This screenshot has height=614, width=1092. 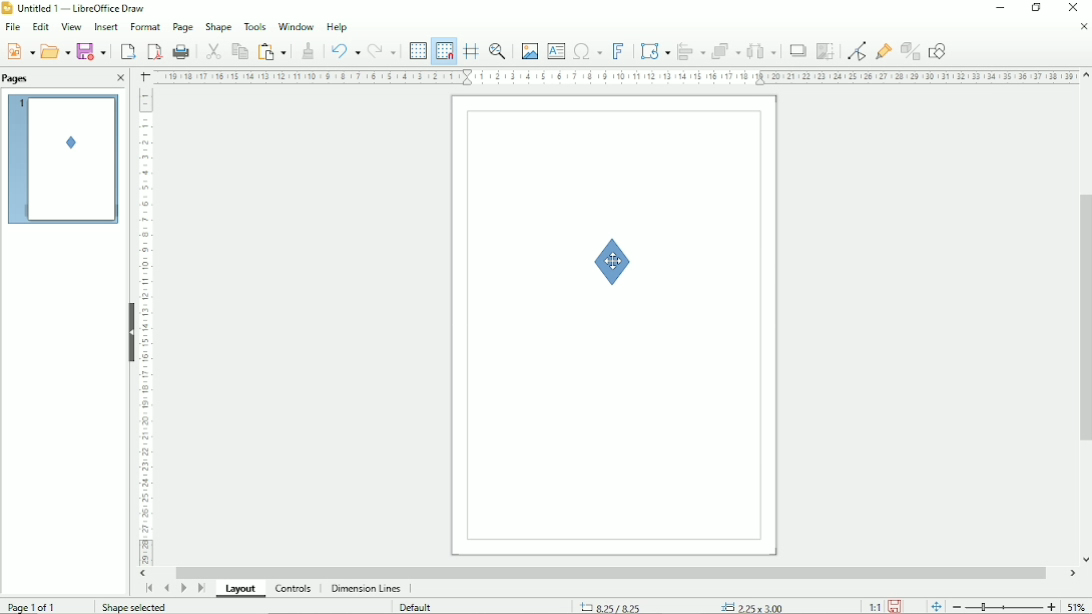 What do you see at coordinates (18, 78) in the screenshot?
I see `Pages` at bounding box center [18, 78].